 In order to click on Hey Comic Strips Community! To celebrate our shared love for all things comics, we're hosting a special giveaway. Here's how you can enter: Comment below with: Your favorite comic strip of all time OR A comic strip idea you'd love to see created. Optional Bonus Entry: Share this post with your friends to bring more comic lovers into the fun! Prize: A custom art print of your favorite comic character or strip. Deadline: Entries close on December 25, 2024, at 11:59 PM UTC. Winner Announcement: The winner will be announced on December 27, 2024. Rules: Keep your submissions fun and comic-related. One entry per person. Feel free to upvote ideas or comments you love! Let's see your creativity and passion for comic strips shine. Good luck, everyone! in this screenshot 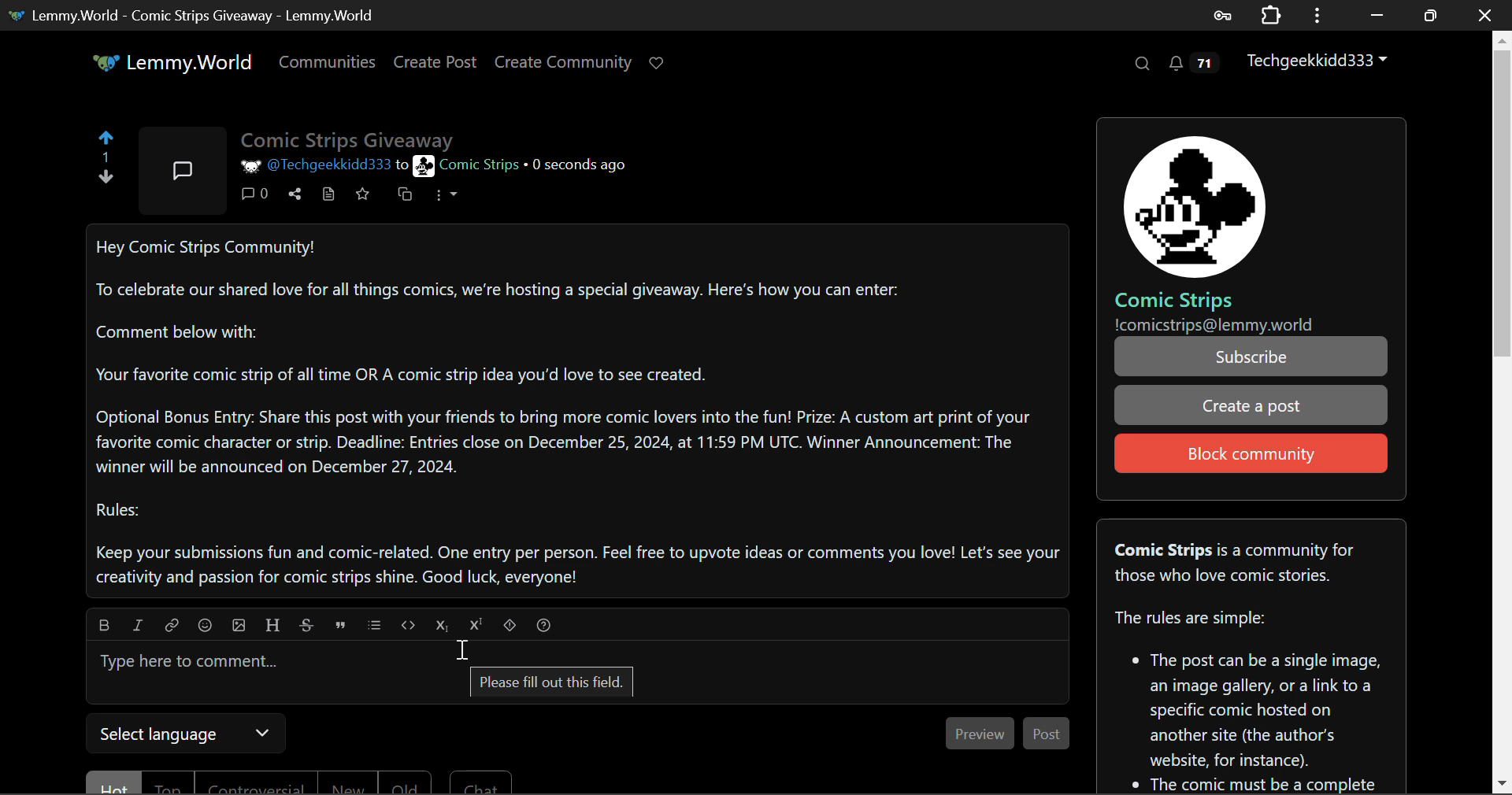, I will do `click(573, 412)`.